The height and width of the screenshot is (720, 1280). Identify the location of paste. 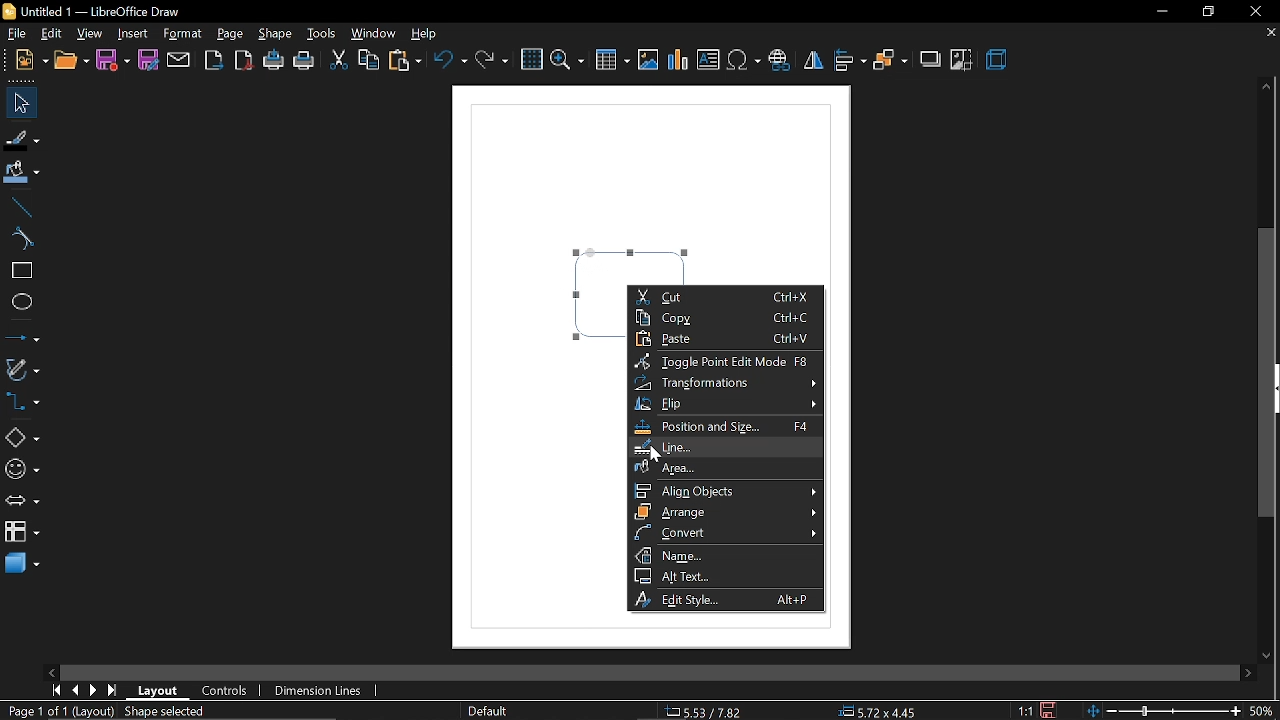
(405, 62).